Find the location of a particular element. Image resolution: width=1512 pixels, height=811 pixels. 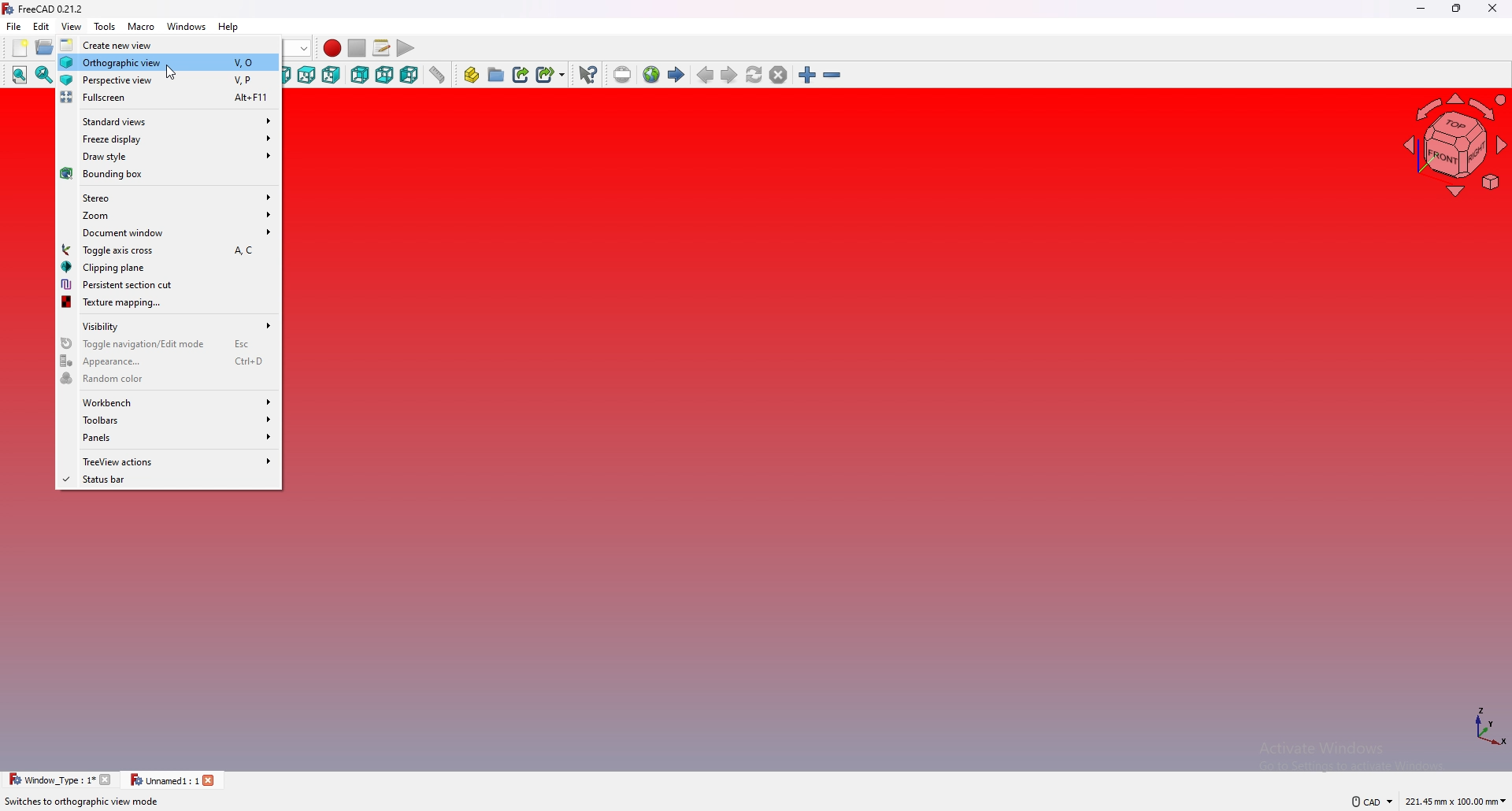

freeze display is located at coordinates (168, 139).